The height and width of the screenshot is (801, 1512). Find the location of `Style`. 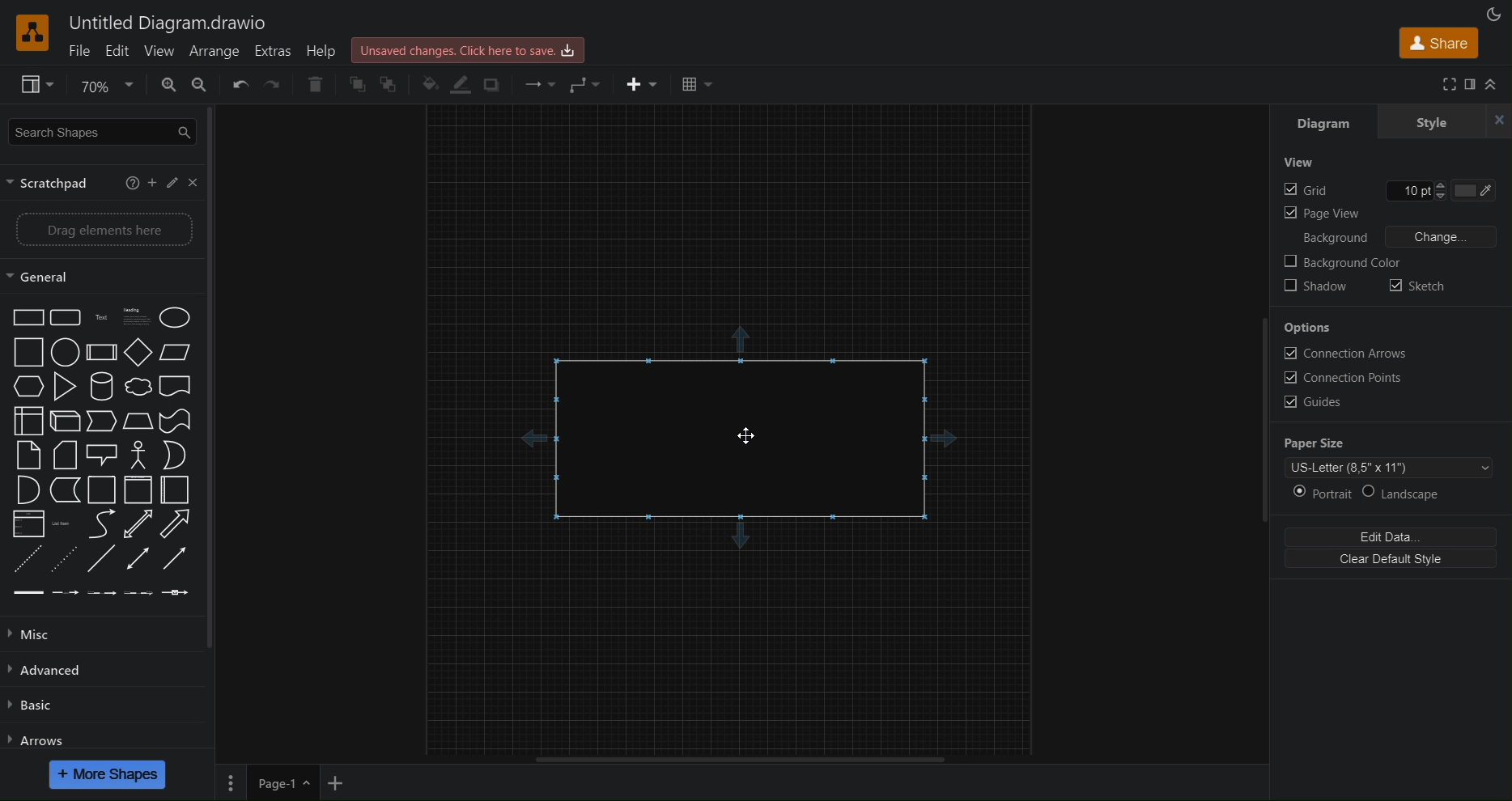

Style is located at coordinates (1449, 120).